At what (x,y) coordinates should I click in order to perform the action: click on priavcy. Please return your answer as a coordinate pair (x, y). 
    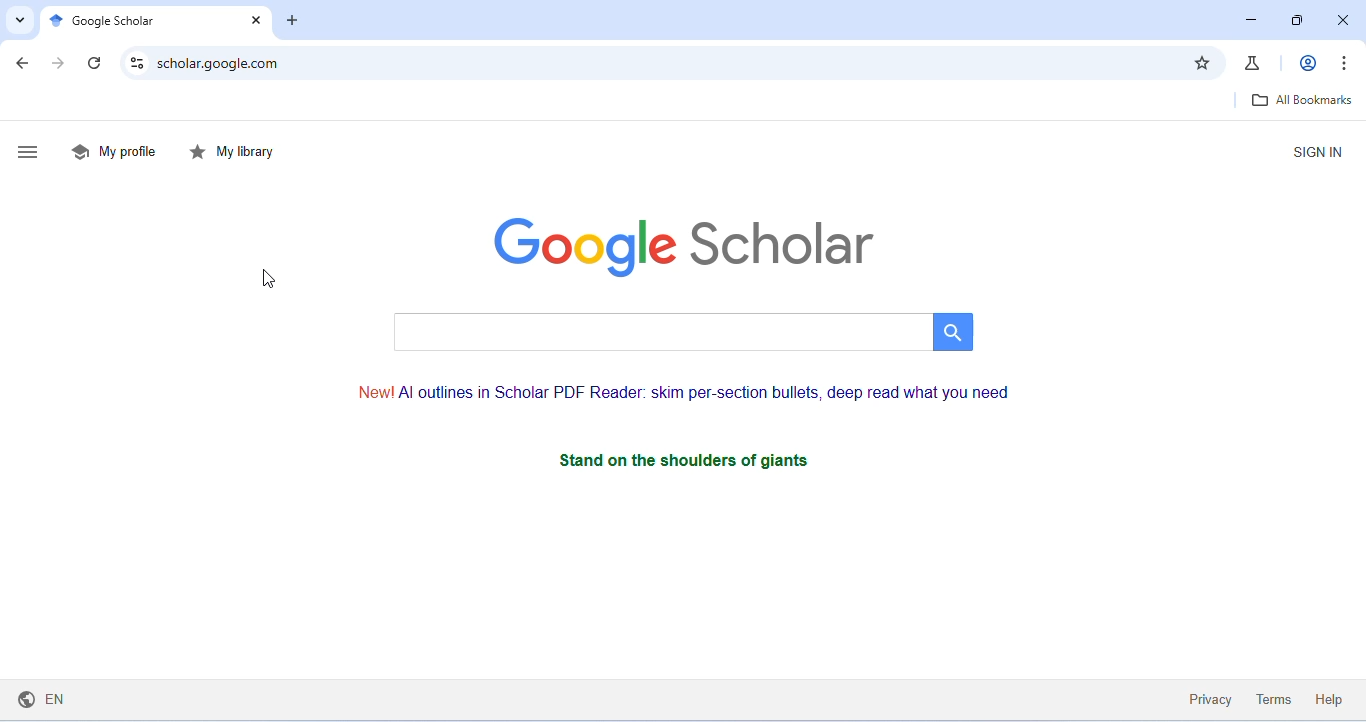
    Looking at the image, I should click on (1207, 698).